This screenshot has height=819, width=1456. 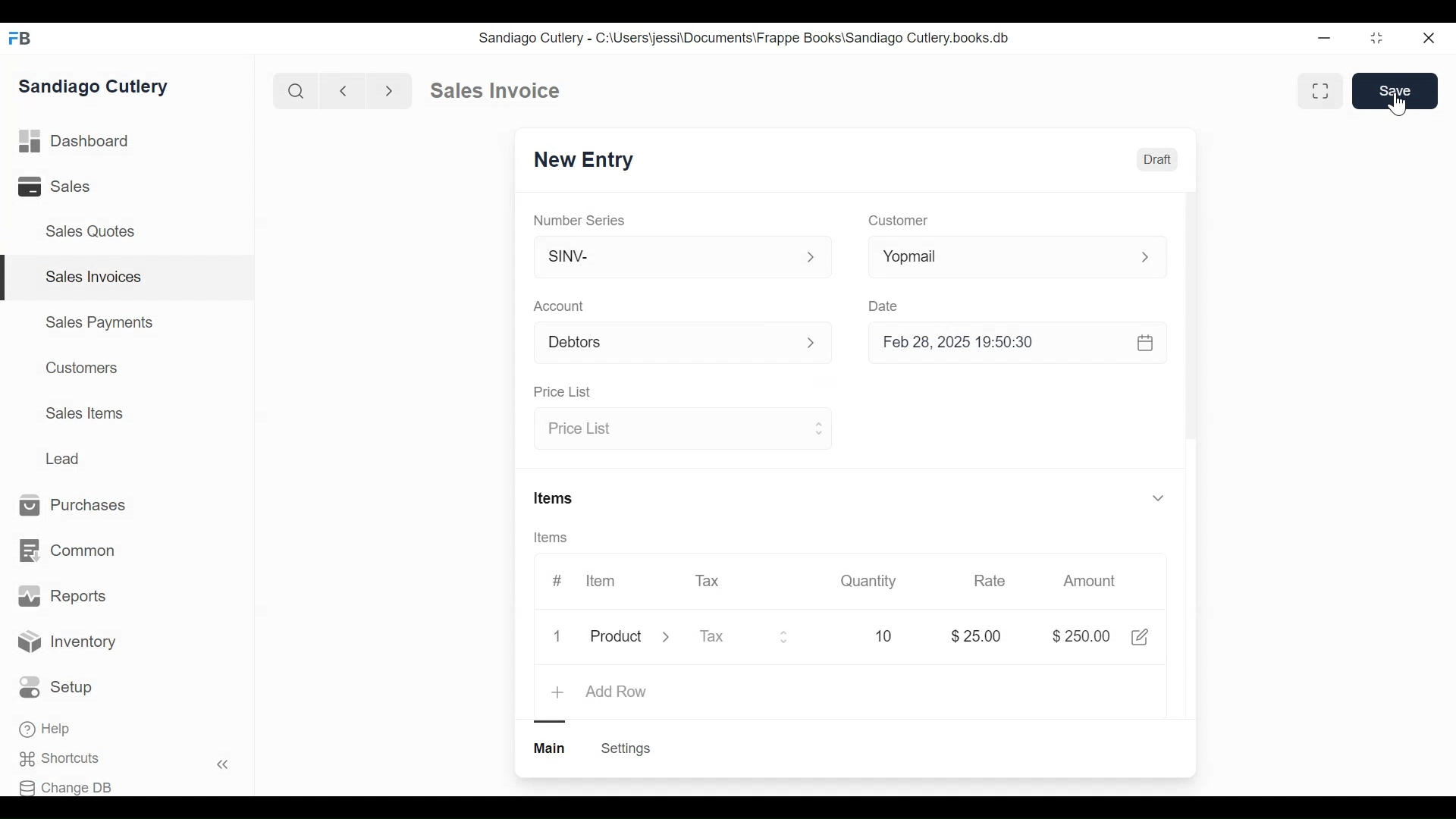 What do you see at coordinates (1323, 90) in the screenshot?
I see `fullscreen` at bounding box center [1323, 90].